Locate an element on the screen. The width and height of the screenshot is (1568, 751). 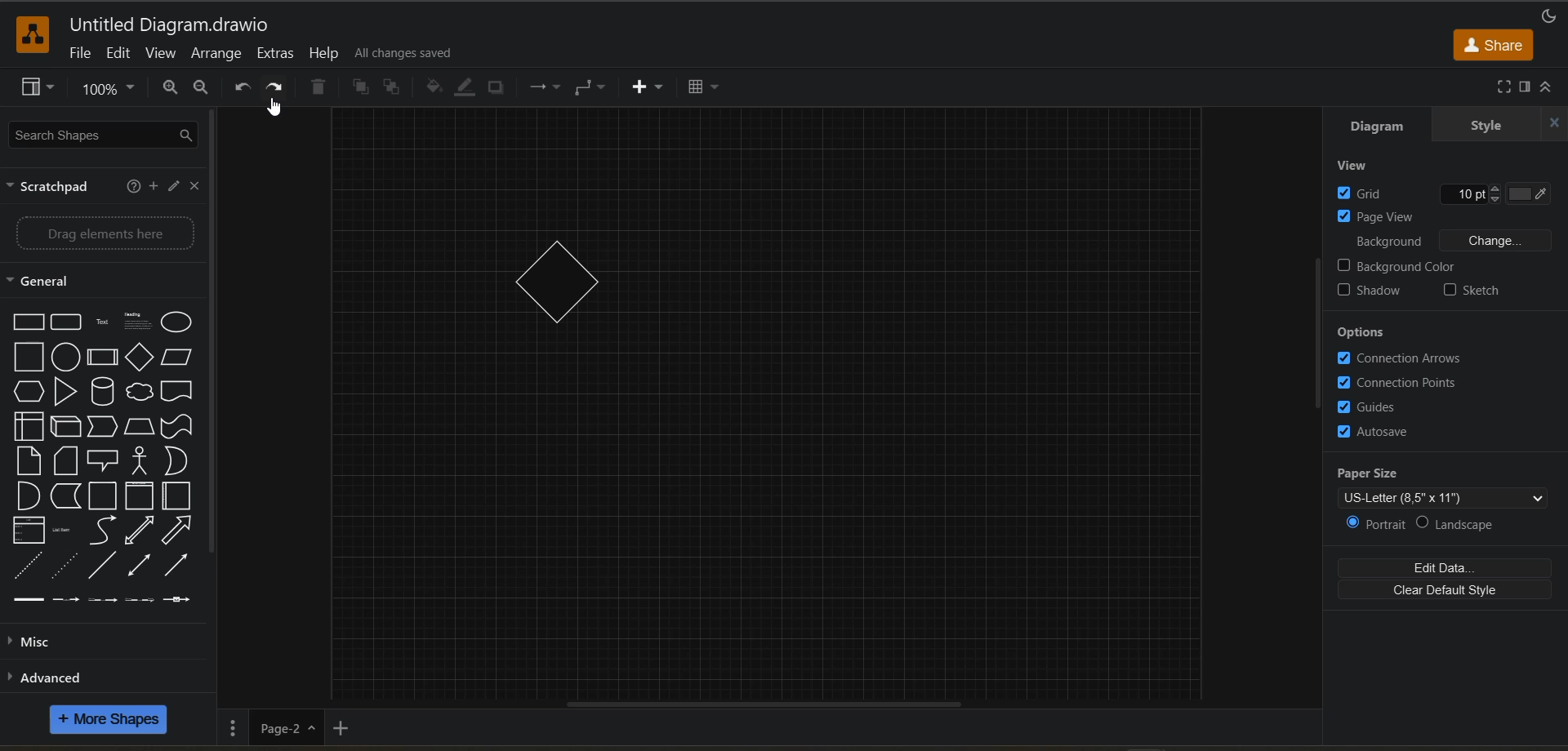
format is located at coordinates (1524, 91).